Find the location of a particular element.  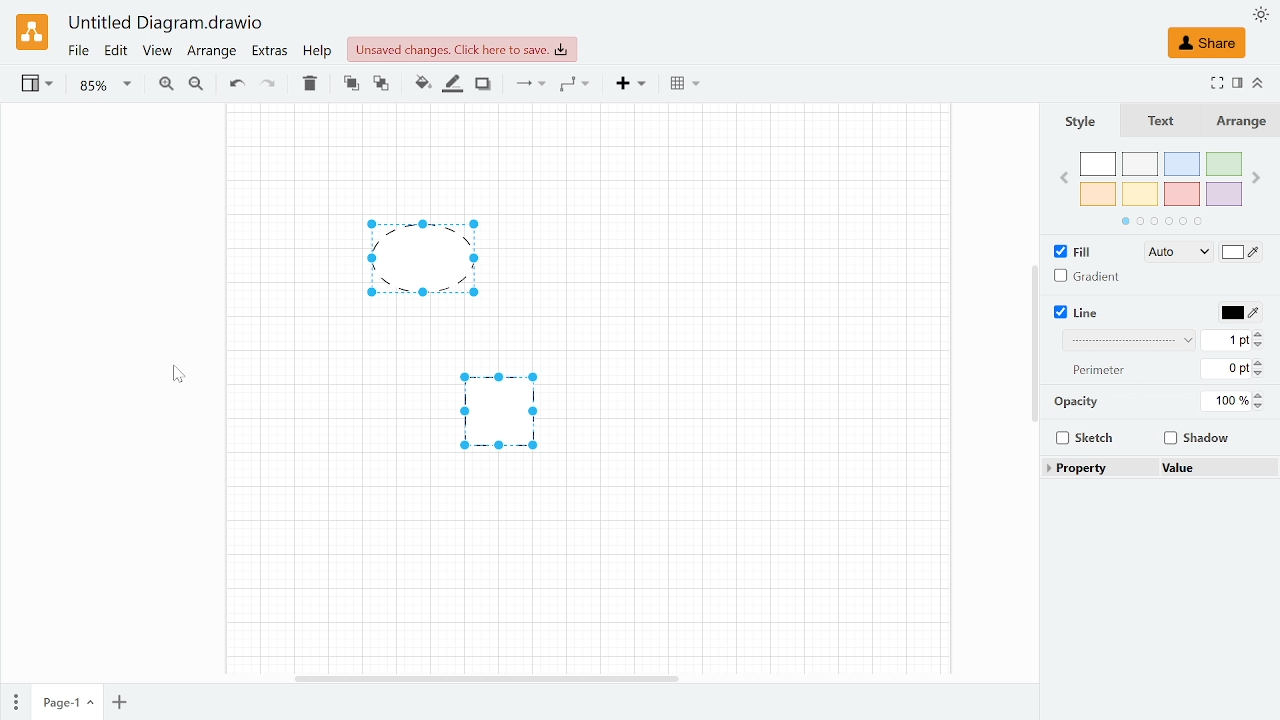

Increase width is located at coordinates (1264, 334).